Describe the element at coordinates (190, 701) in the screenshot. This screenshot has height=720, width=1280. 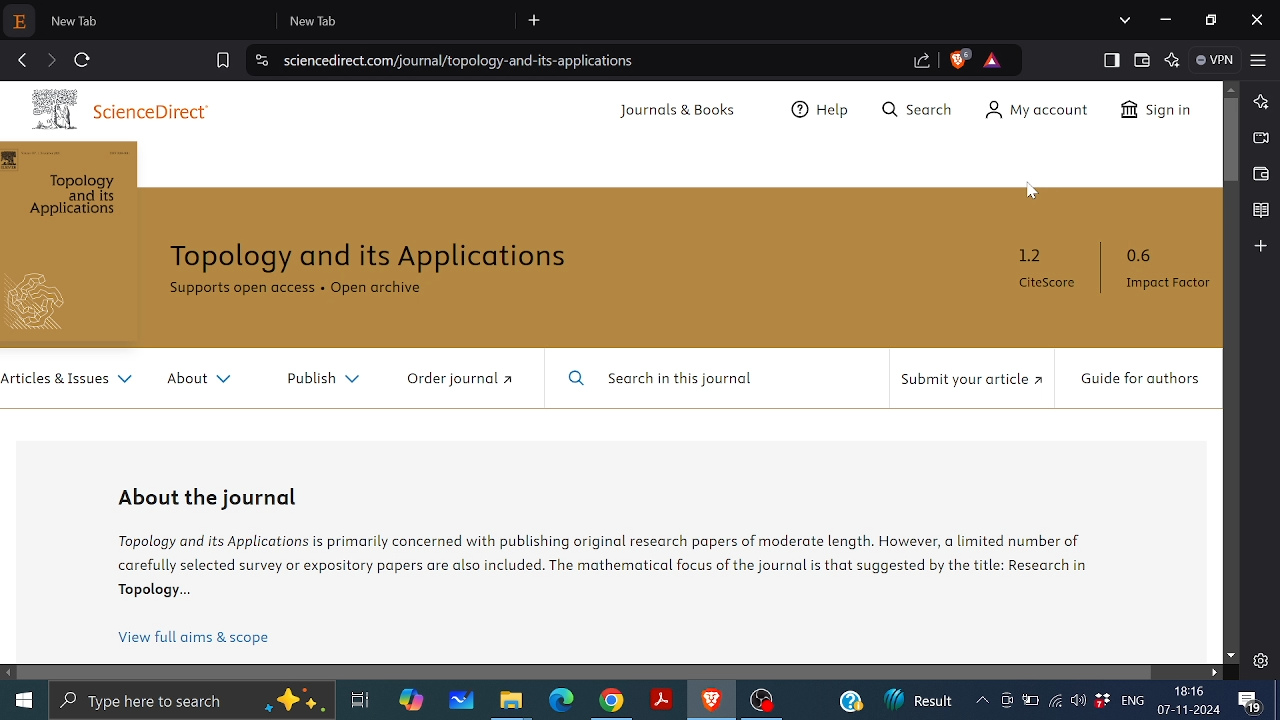
I see `Type or searchapps` at that location.